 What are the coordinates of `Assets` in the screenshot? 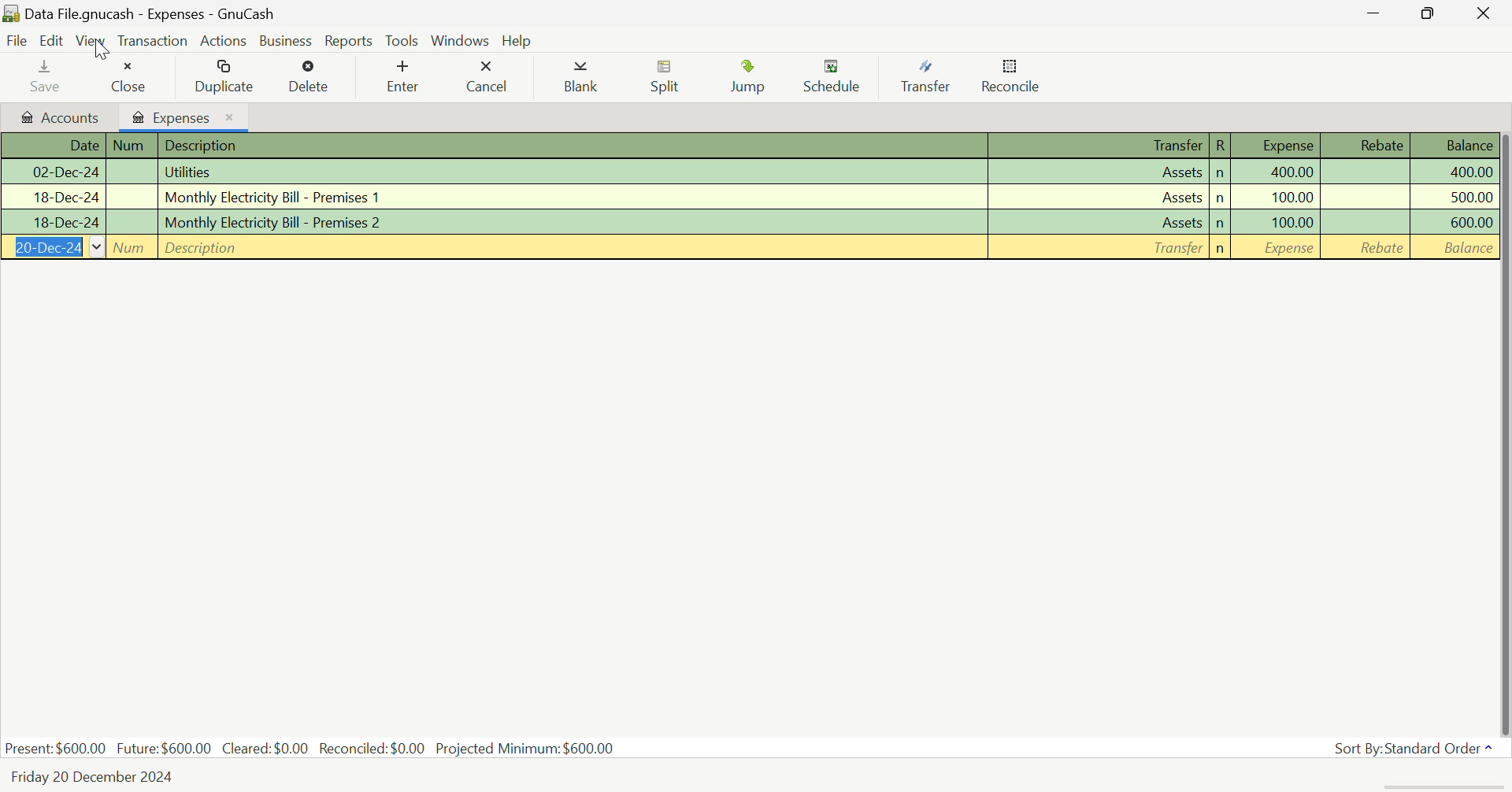 It's located at (1097, 221).